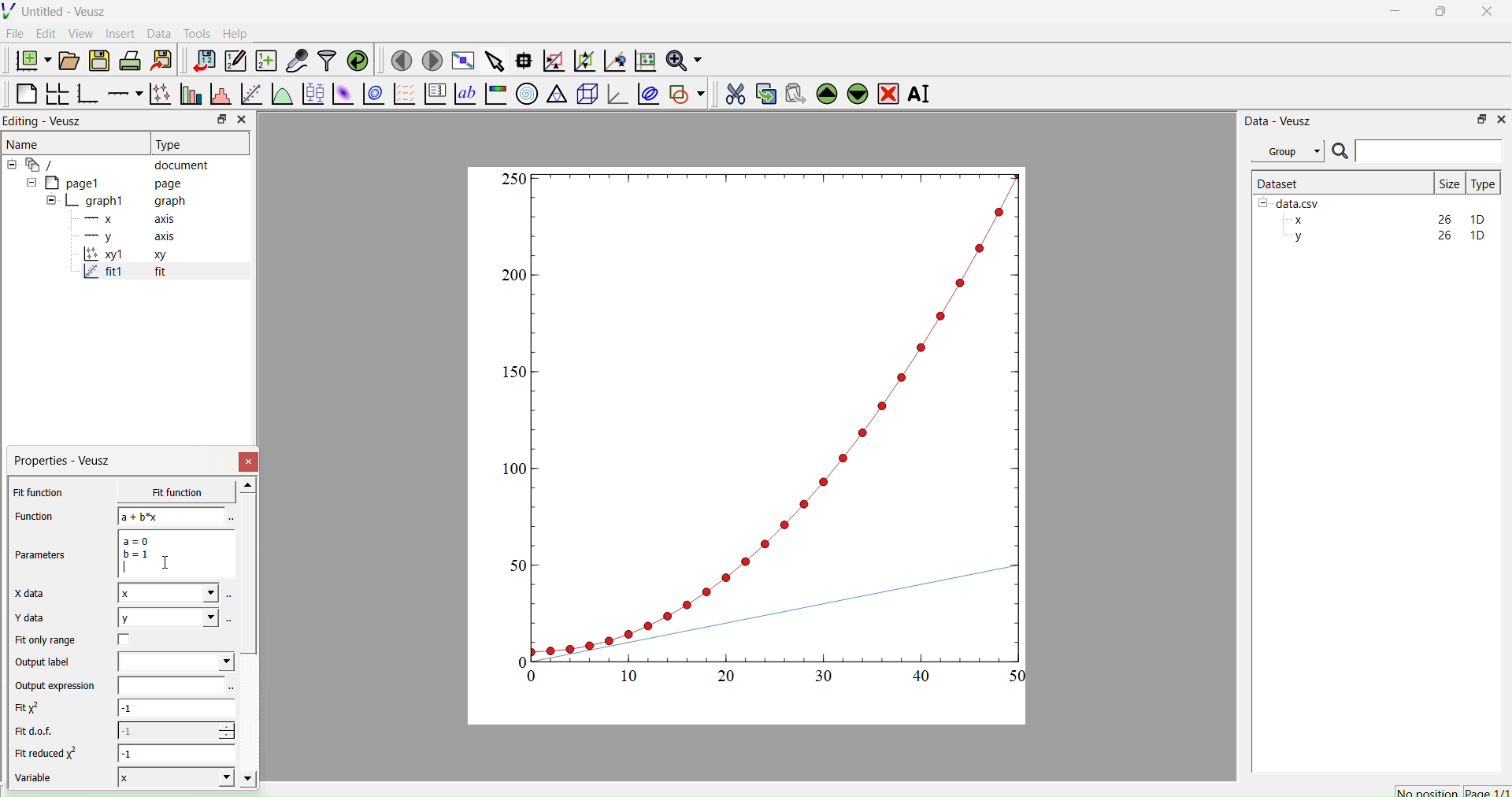 Image resolution: width=1512 pixels, height=797 pixels. Describe the element at coordinates (114, 164) in the screenshot. I see `document` at that location.